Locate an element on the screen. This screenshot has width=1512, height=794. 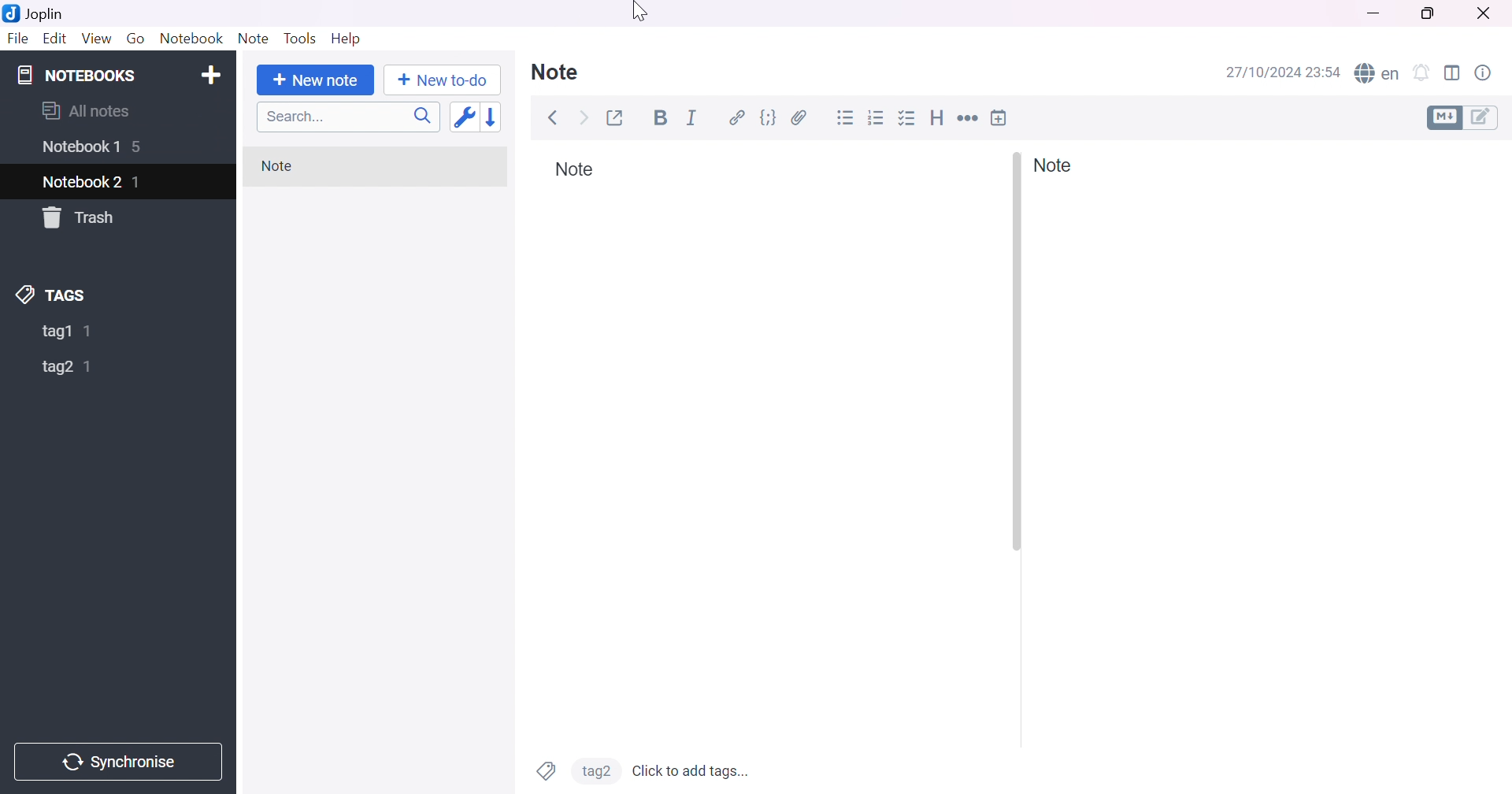
Search icon is located at coordinates (418, 118).